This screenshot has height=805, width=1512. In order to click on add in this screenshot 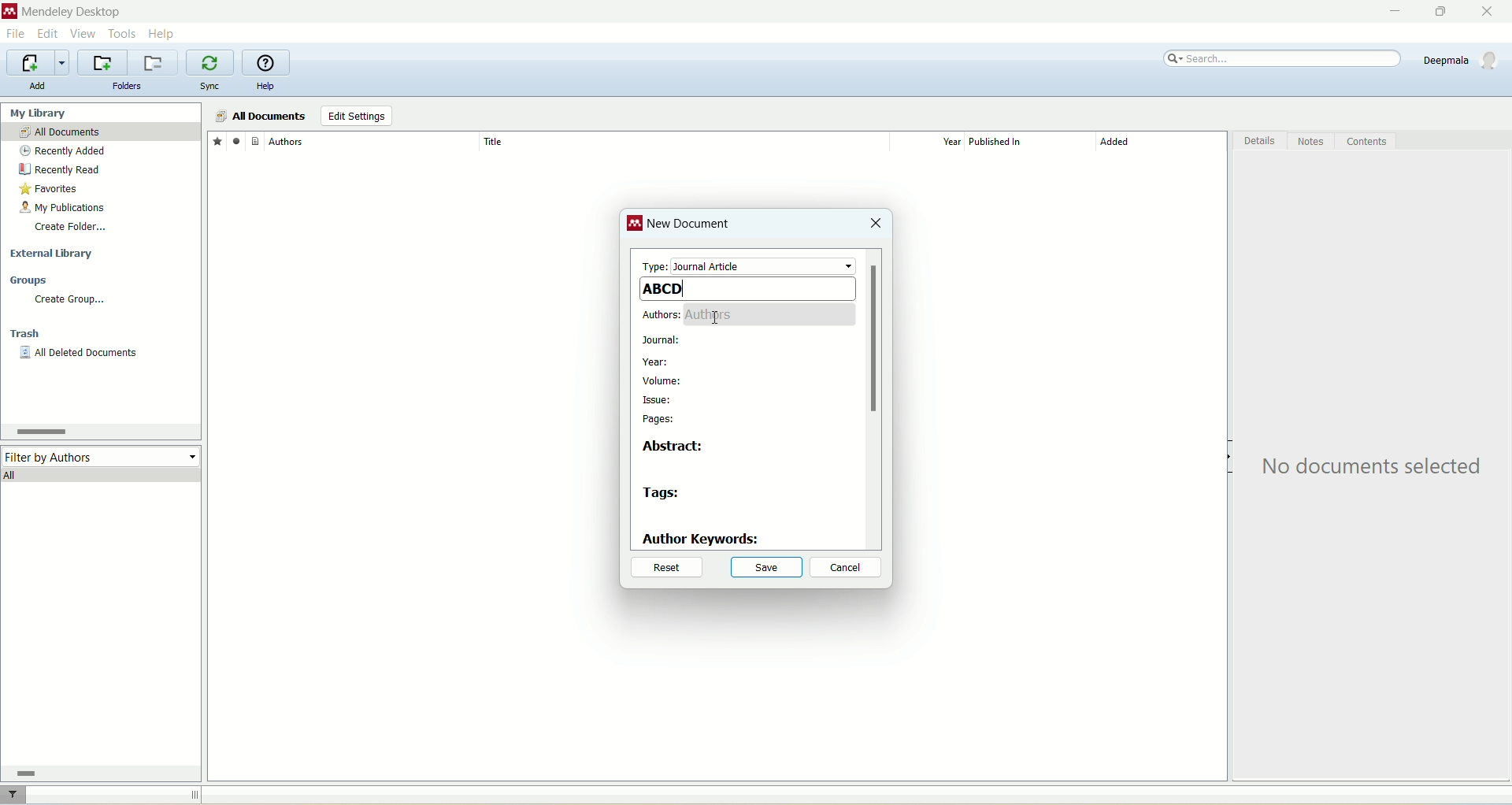, I will do `click(37, 86)`.